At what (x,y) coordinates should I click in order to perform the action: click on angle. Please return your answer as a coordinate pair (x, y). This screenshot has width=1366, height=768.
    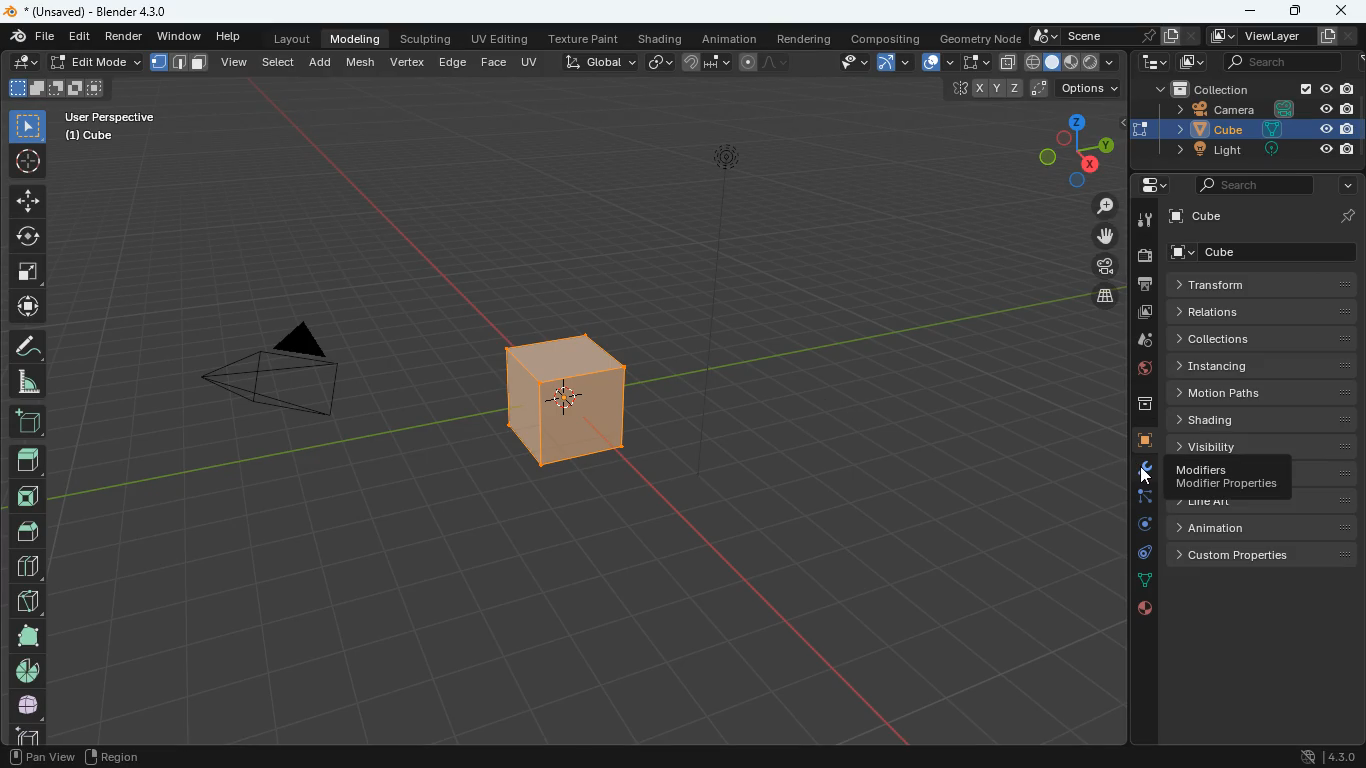
    Looking at the image, I should click on (25, 381).